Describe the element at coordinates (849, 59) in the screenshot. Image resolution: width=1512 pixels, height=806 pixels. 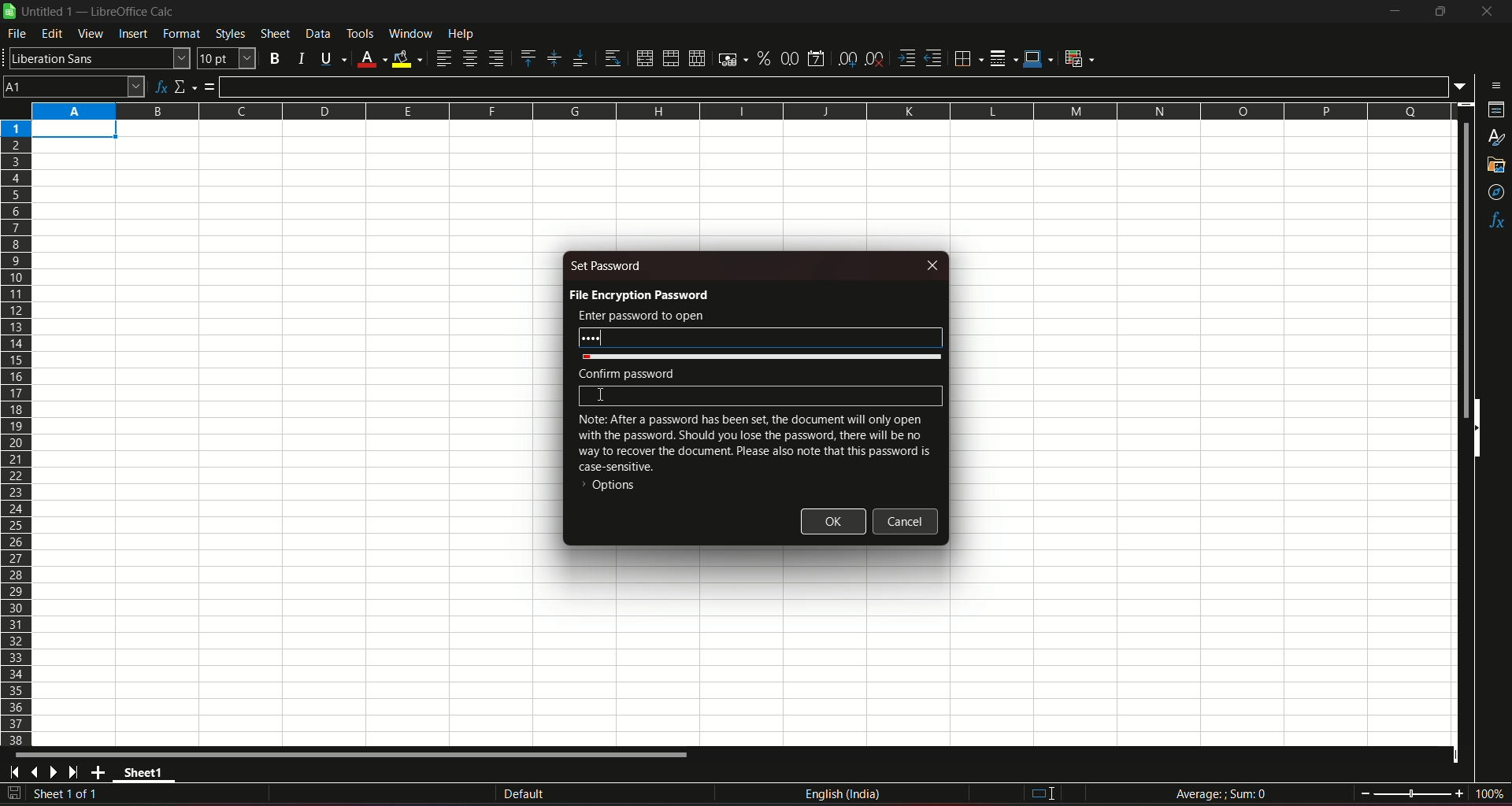
I see `add decimal point` at that location.